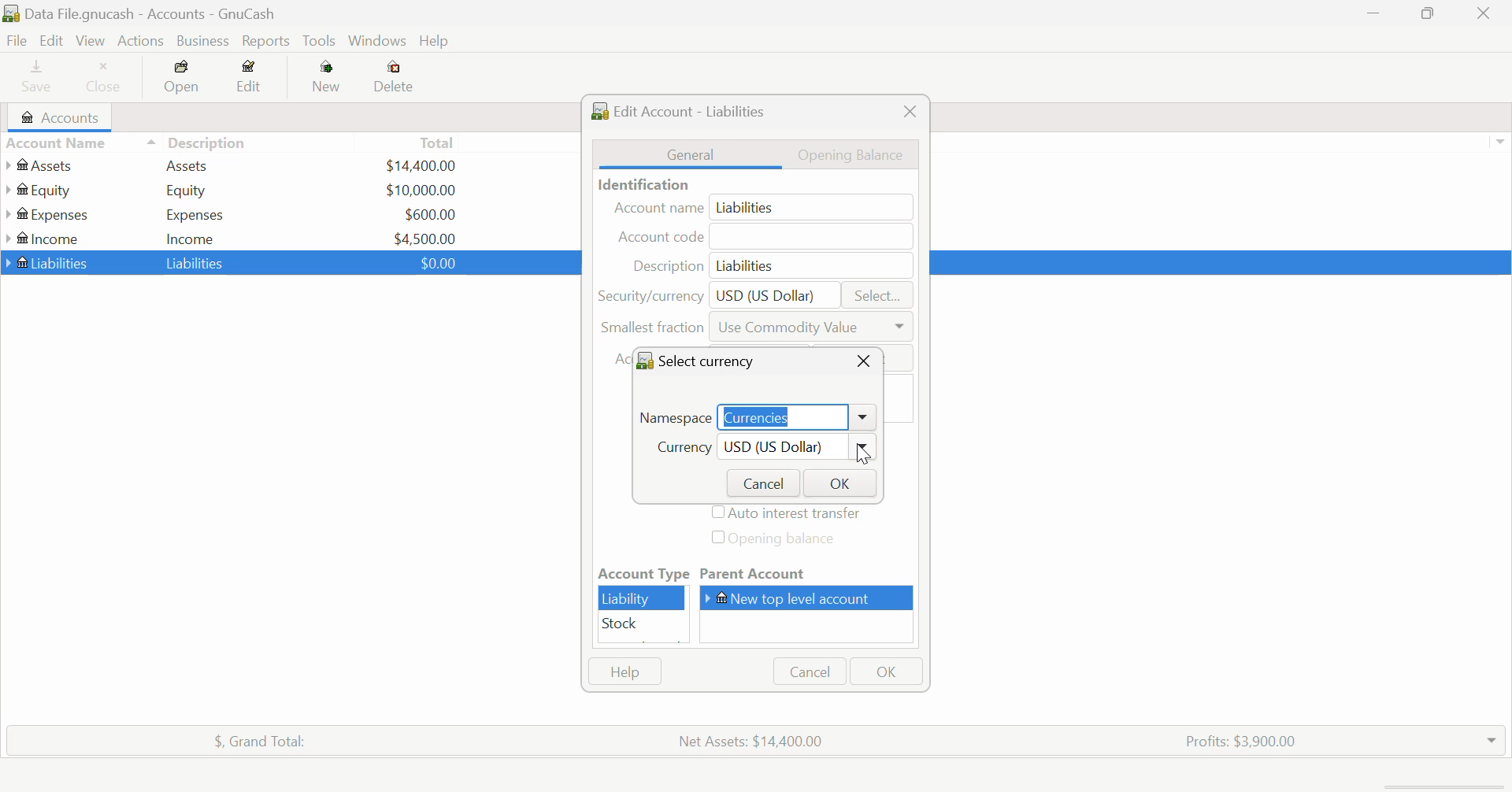  I want to click on OK, so click(838, 483).